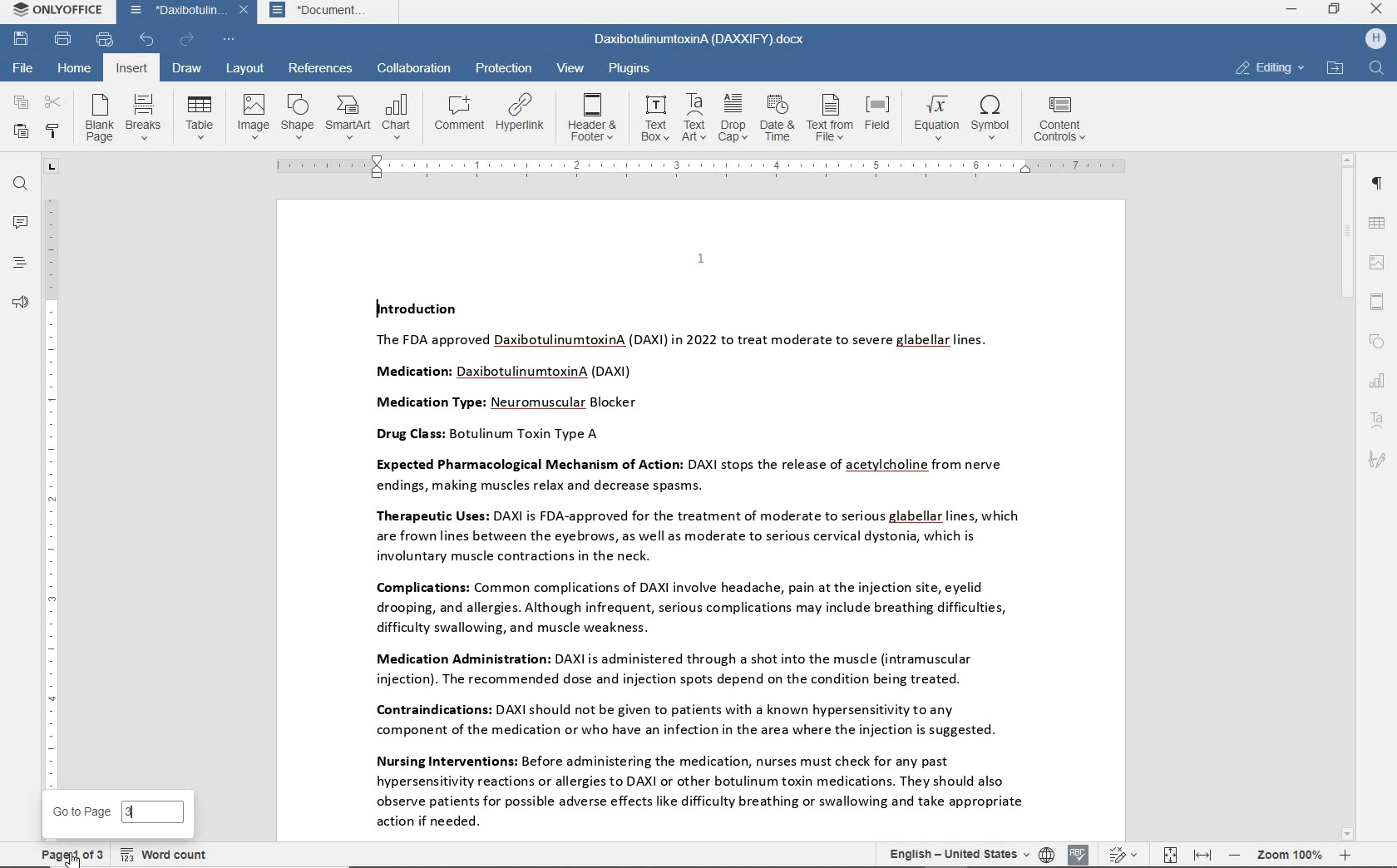  I want to click on header & footer, so click(1376, 303).